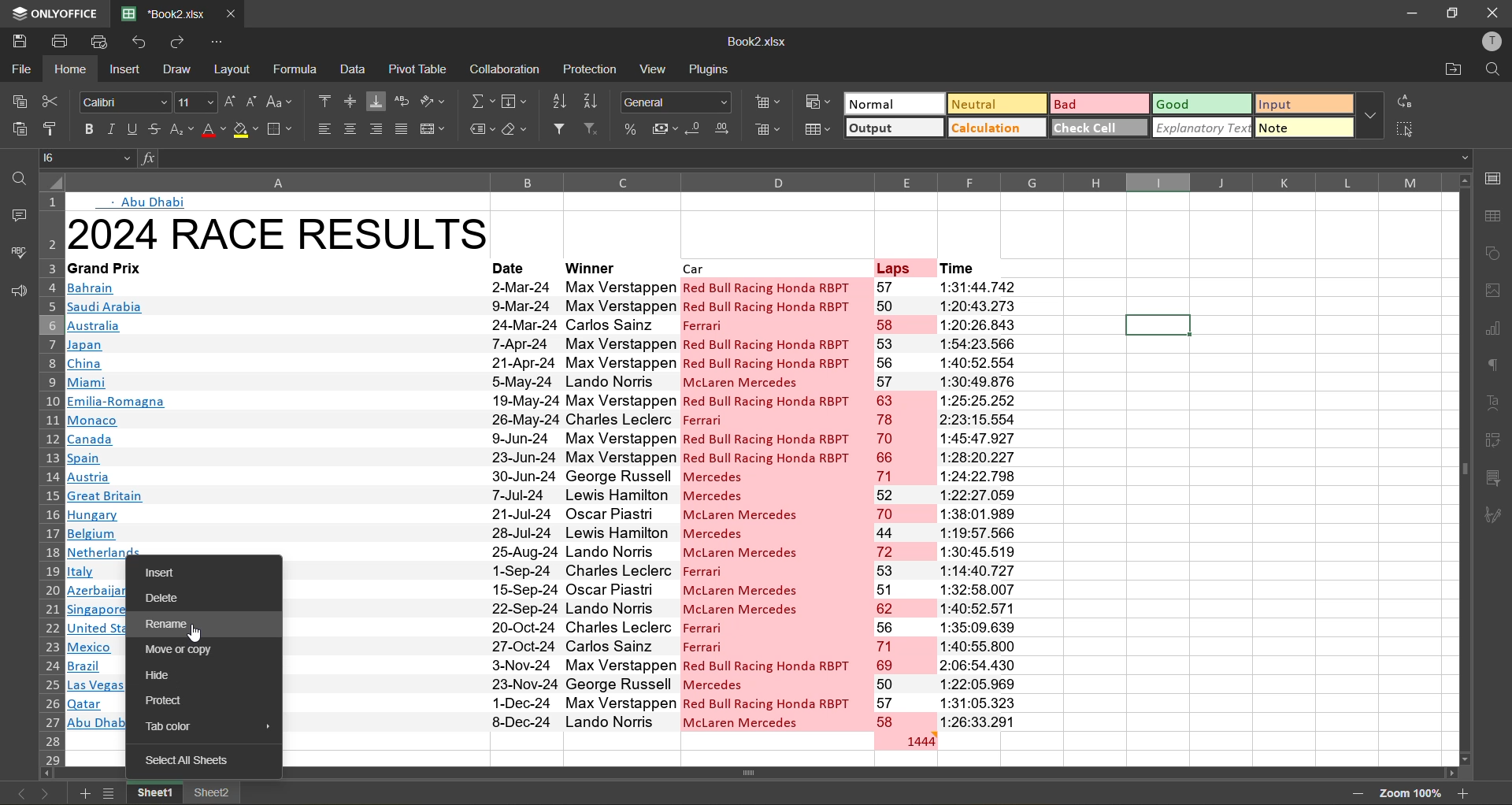 Image resolution: width=1512 pixels, height=805 pixels. What do you see at coordinates (219, 43) in the screenshot?
I see `customize quick access toolbar` at bounding box center [219, 43].